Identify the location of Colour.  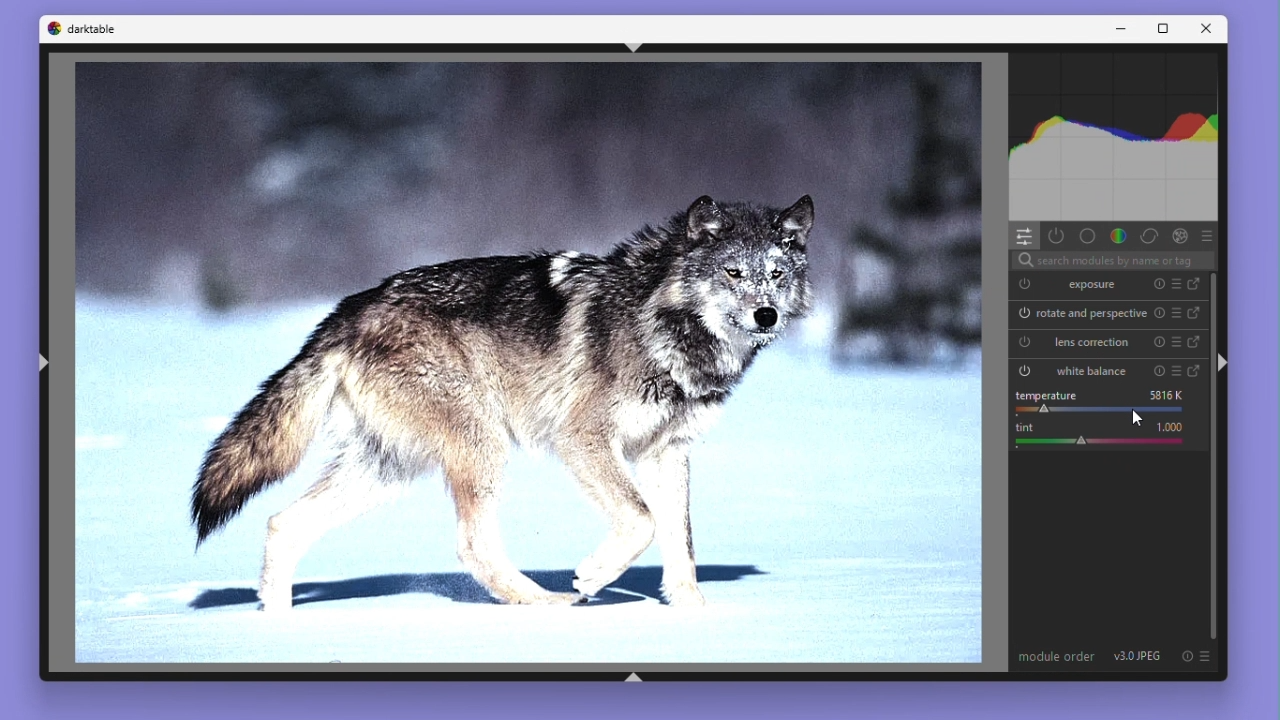
(1119, 236).